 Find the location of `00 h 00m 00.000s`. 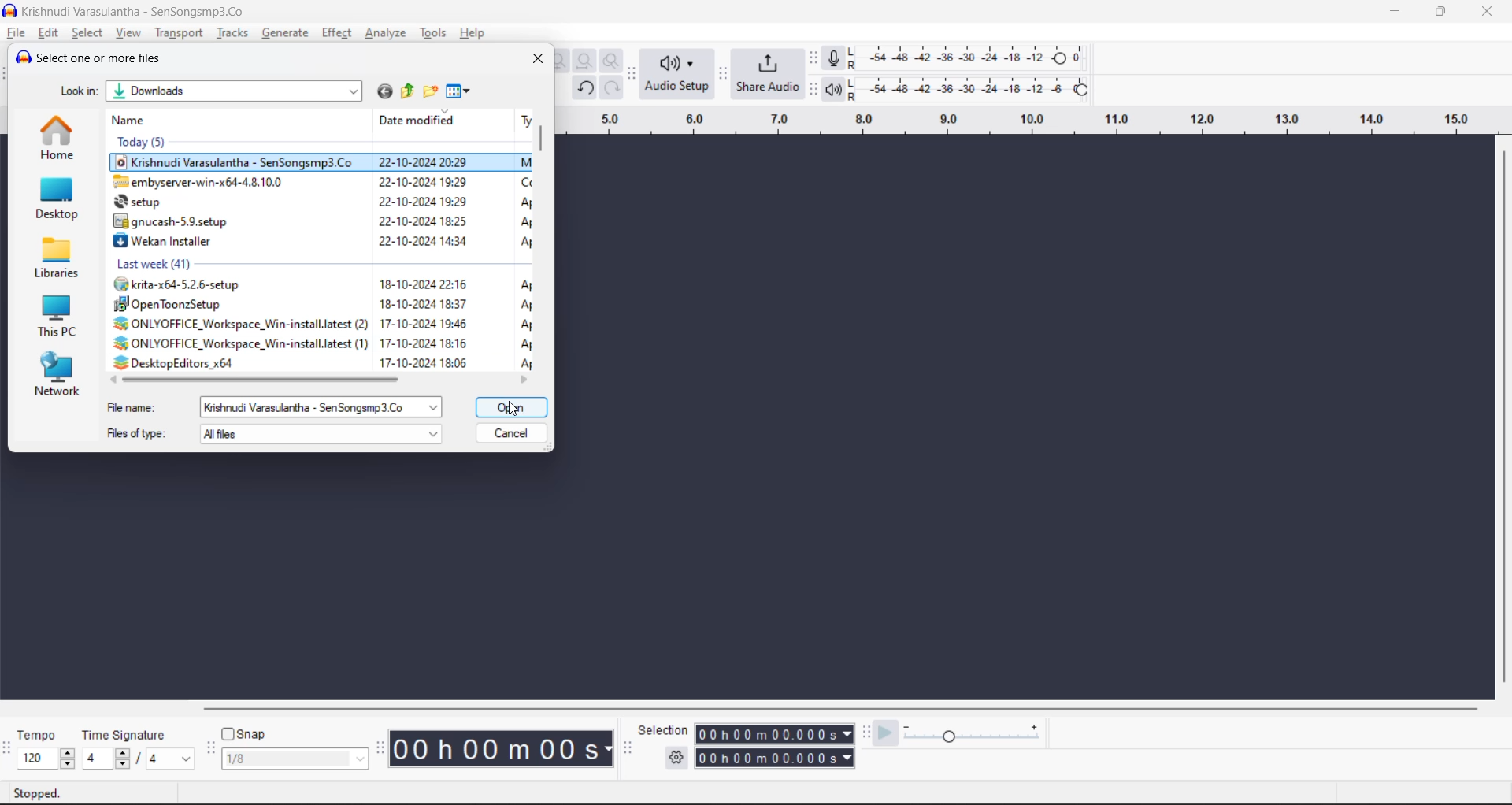

00 h 00m 00.000s is located at coordinates (776, 759).